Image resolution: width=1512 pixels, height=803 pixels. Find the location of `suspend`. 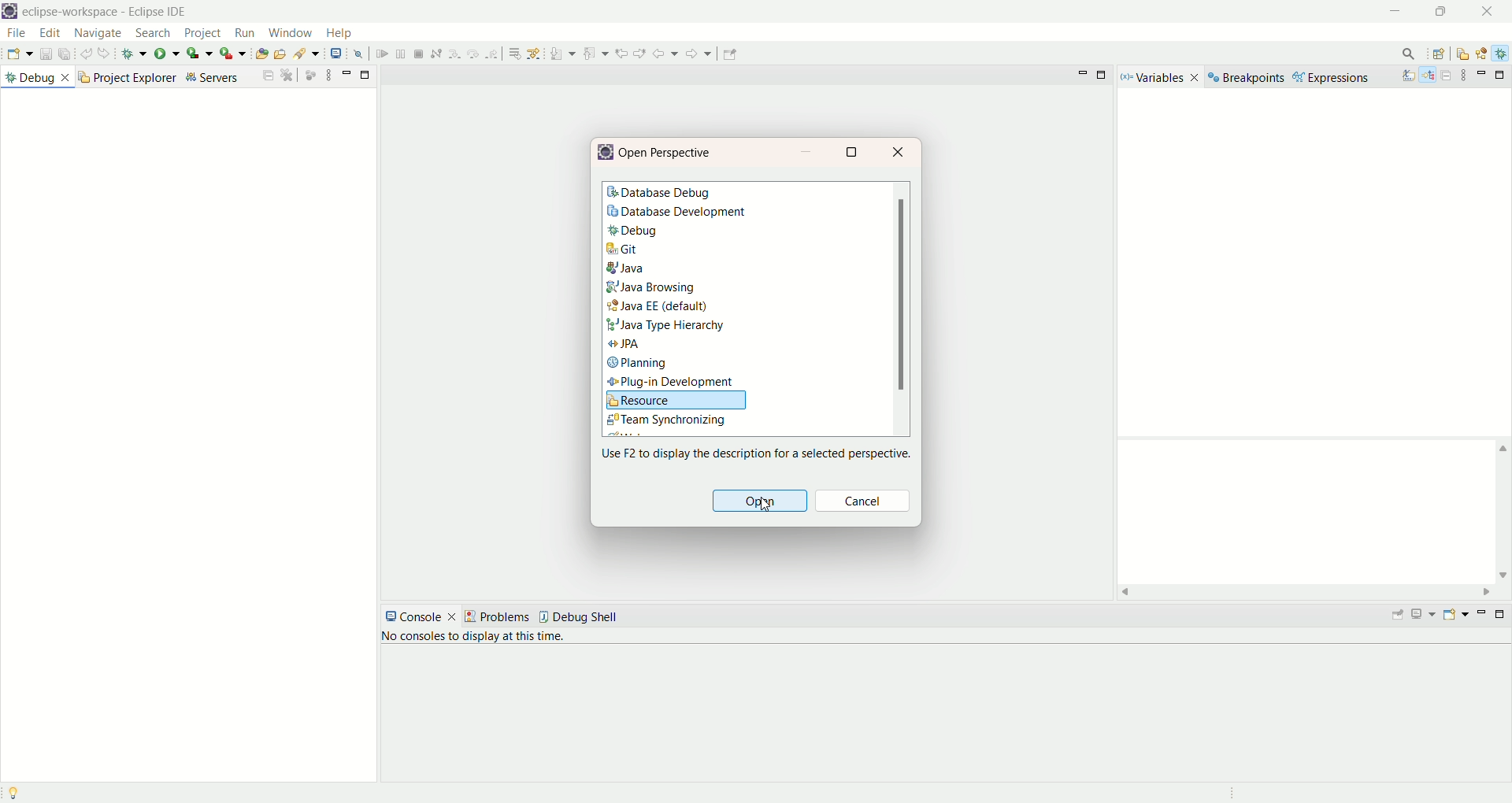

suspend is located at coordinates (513, 54).